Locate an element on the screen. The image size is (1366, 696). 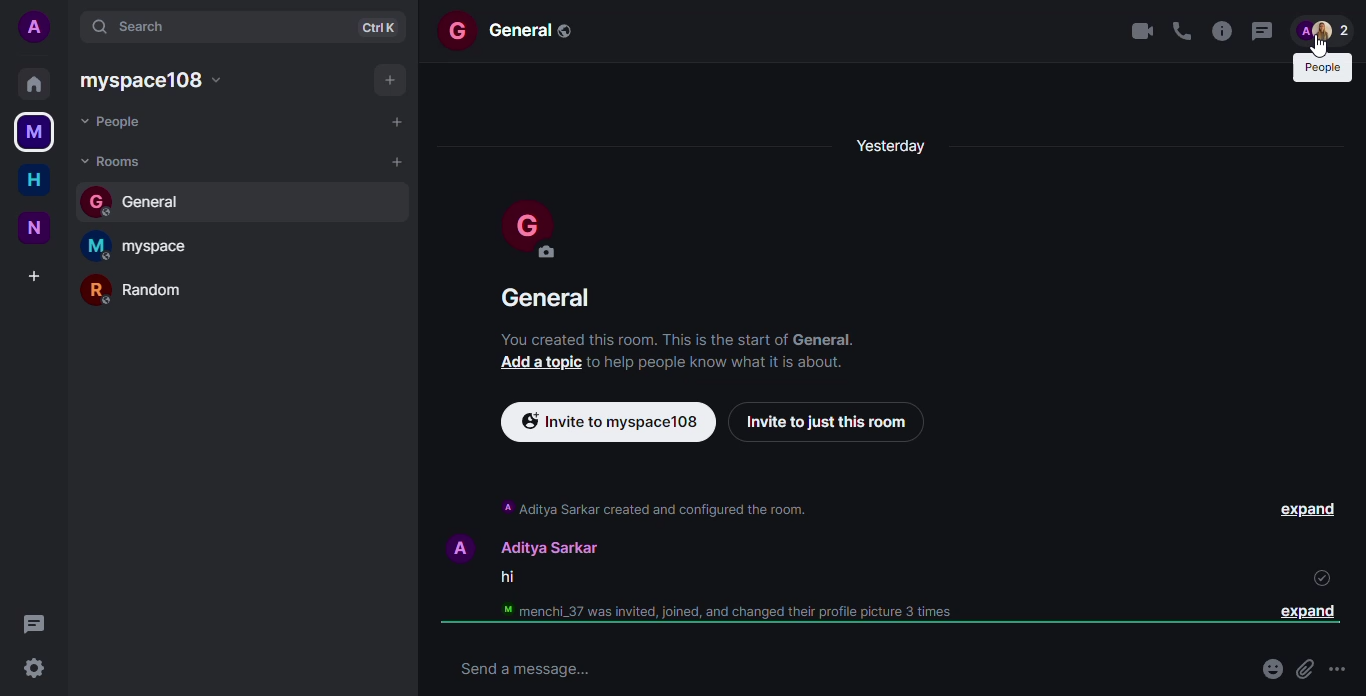
invite to just this room is located at coordinates (830, 422).